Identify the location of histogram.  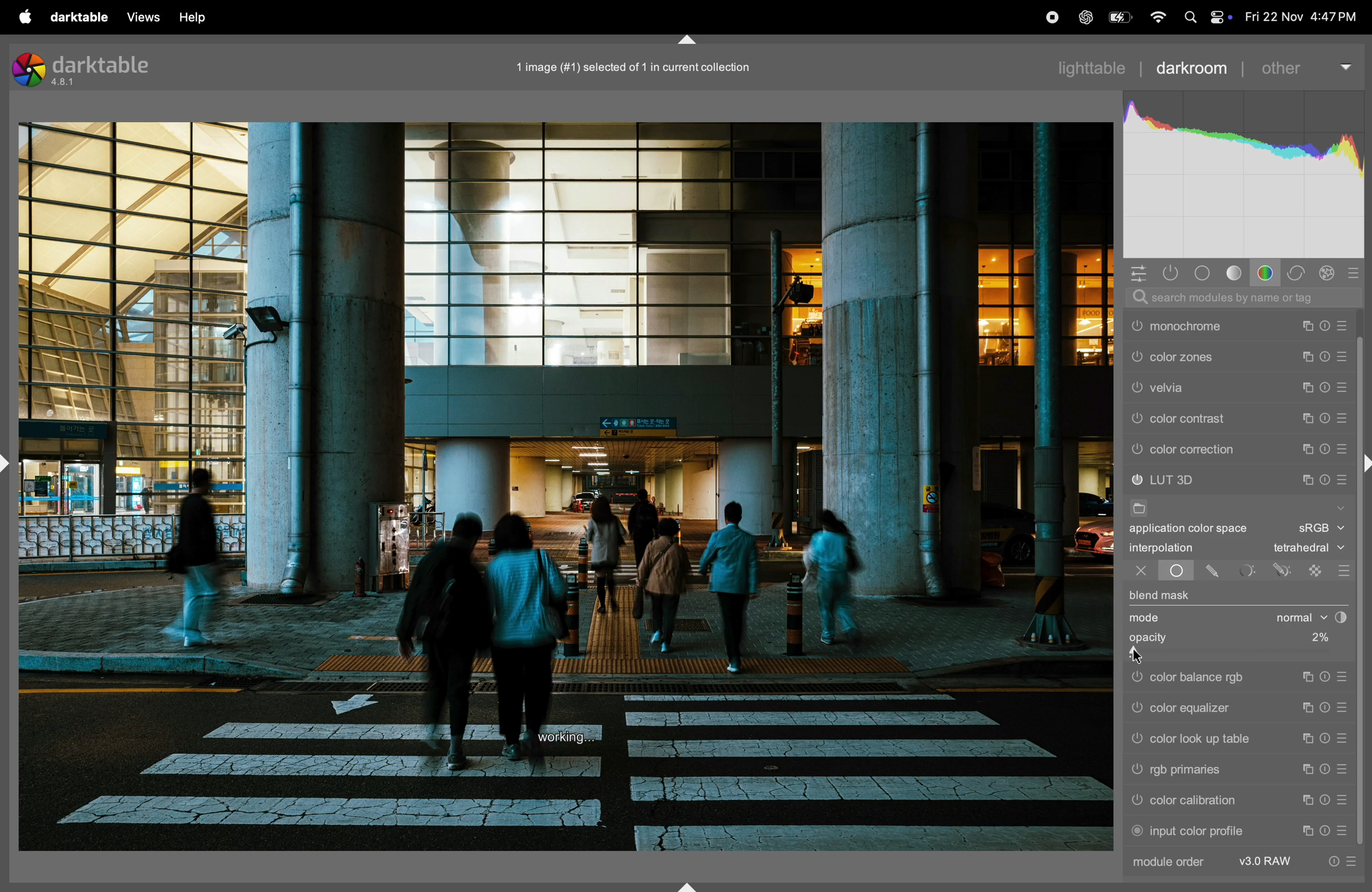
(1245, 171).